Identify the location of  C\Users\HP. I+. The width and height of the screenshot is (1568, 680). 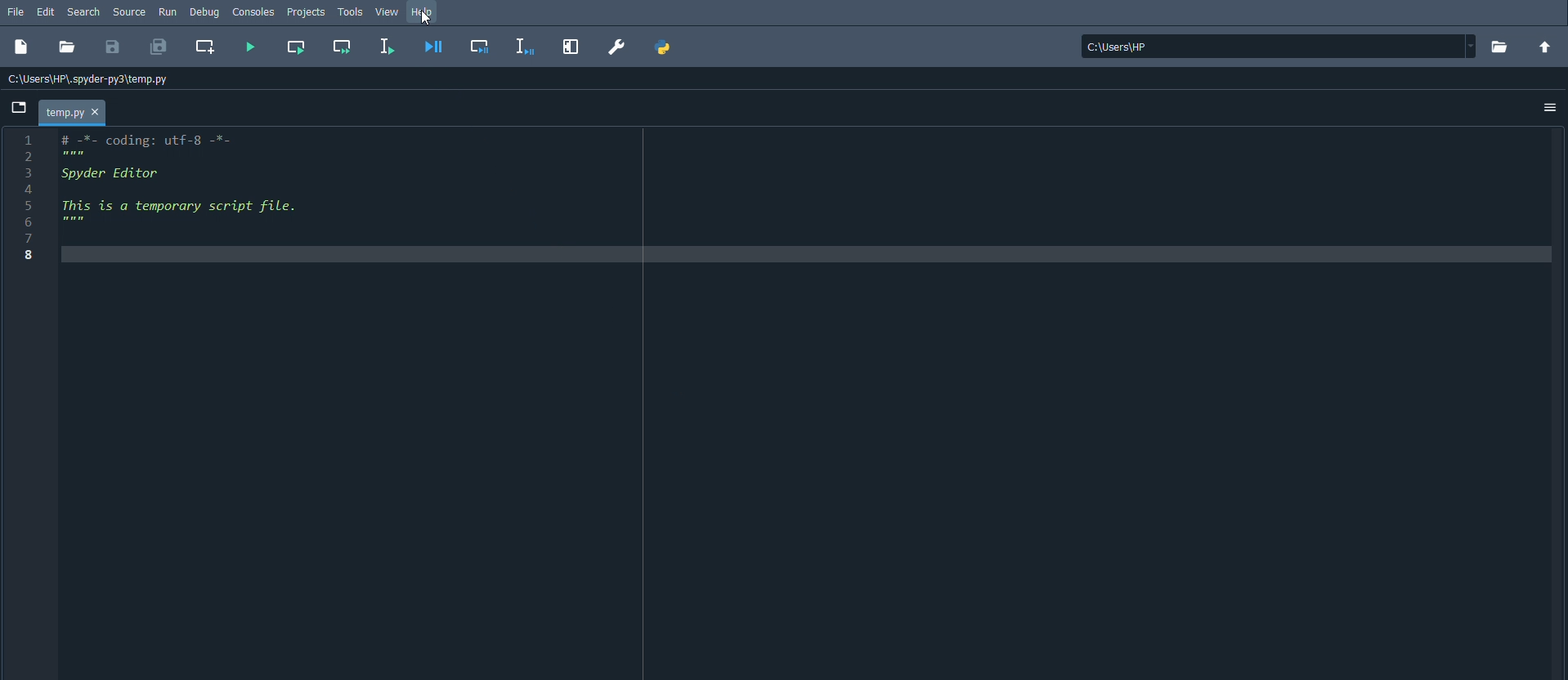
(1279, 46).